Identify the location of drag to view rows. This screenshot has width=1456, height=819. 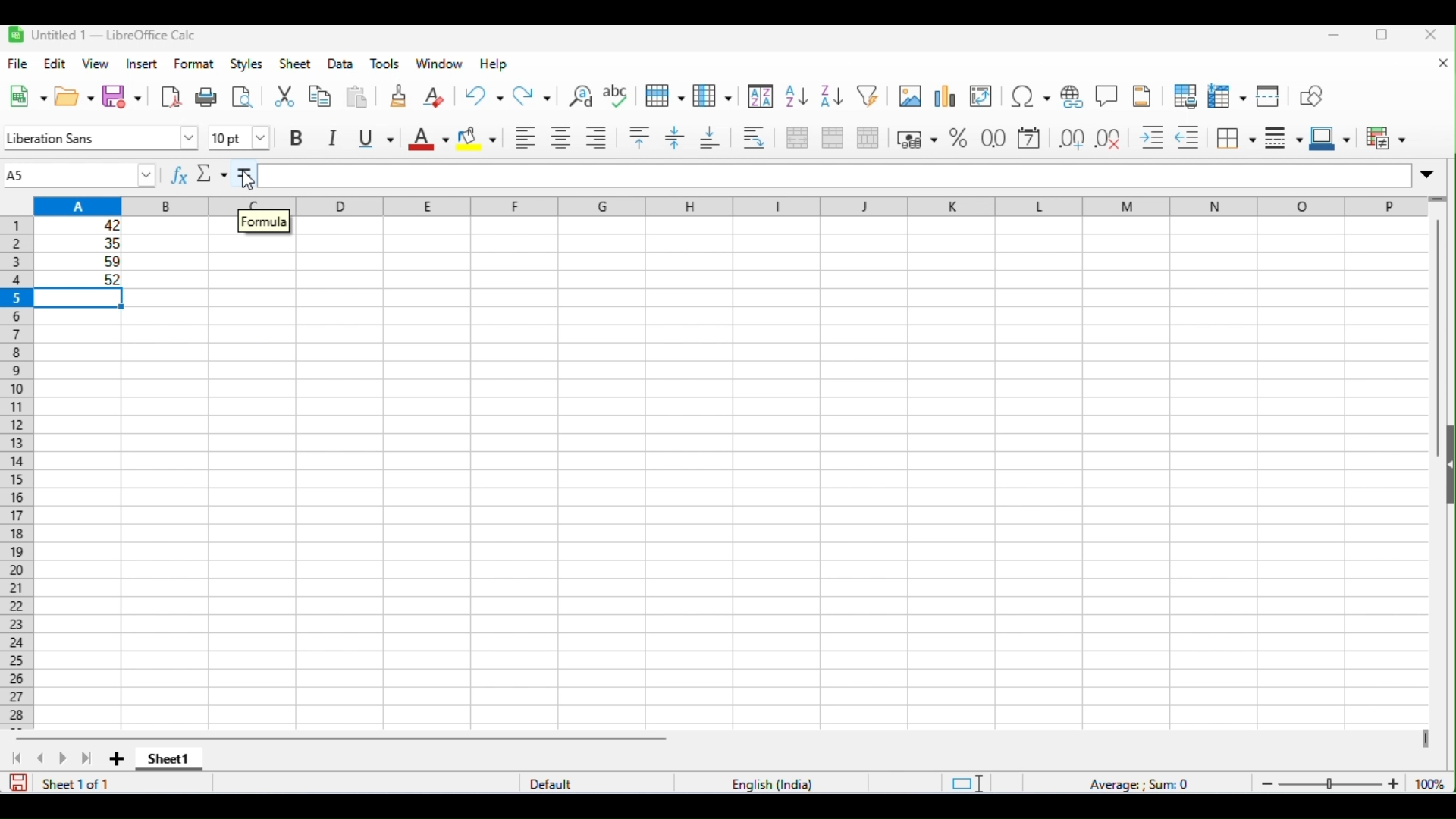
(1438, 197).